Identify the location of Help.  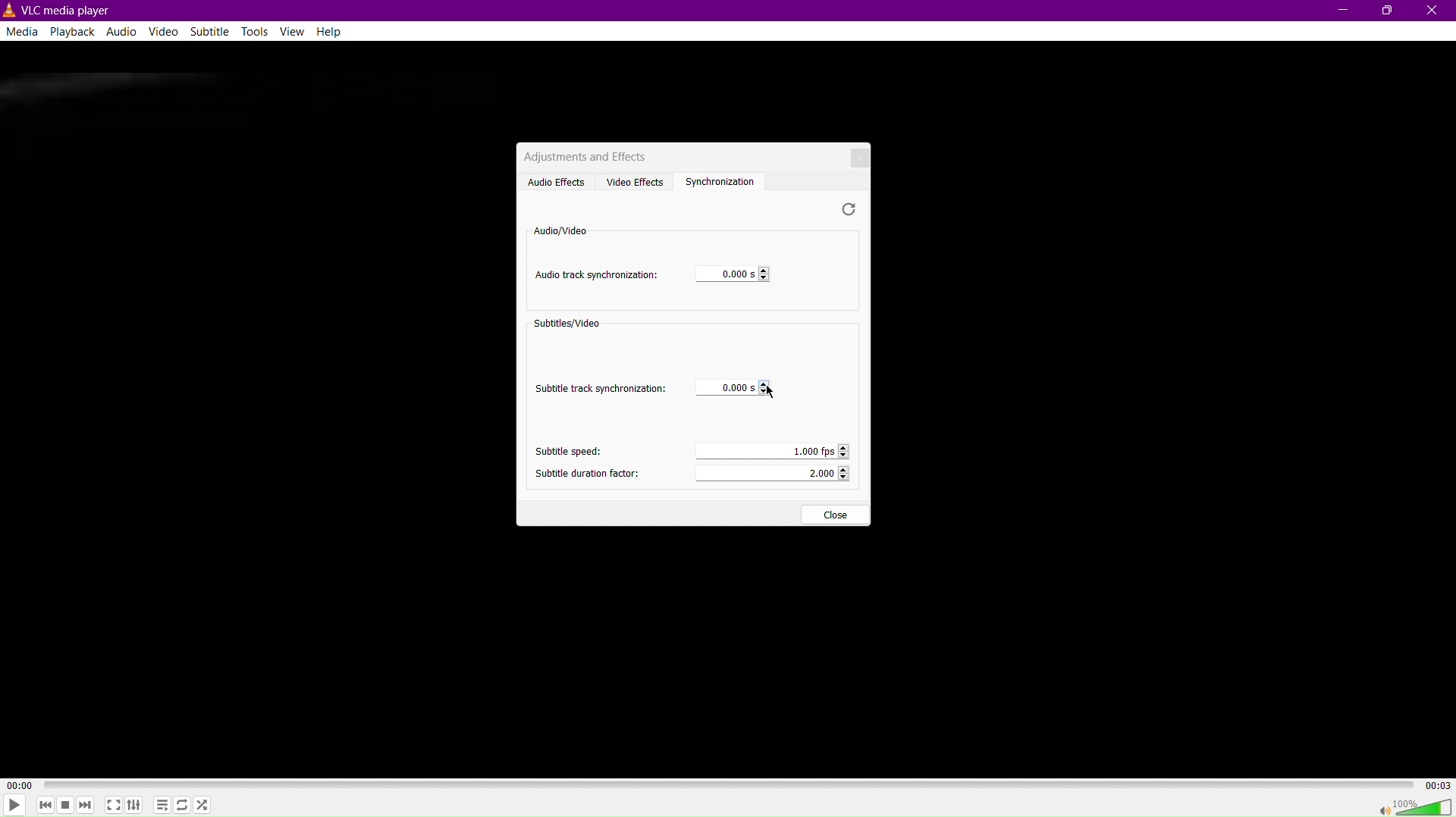
(334, 32).